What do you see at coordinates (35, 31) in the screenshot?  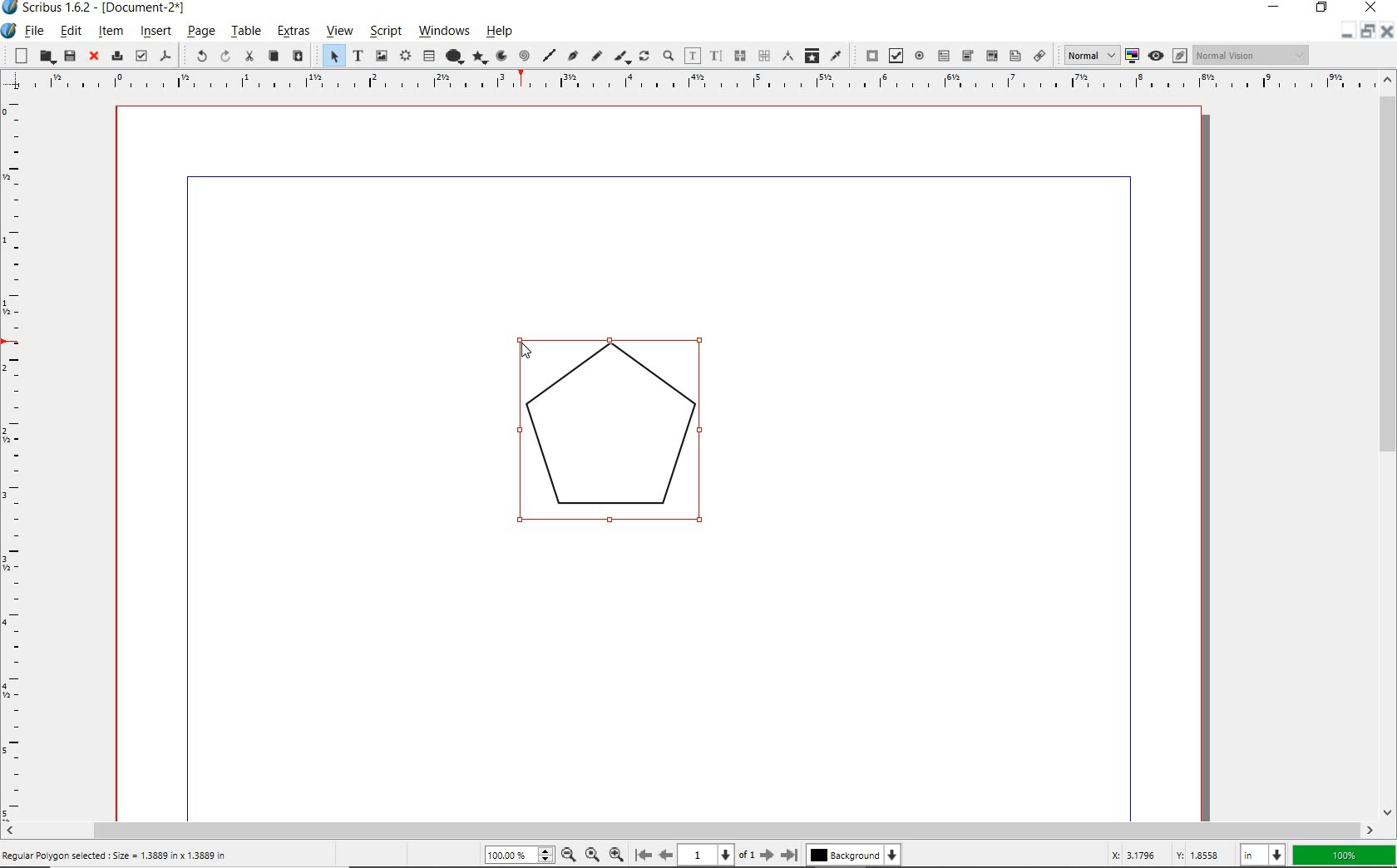 I see `file` at bounding box center [35, 31].